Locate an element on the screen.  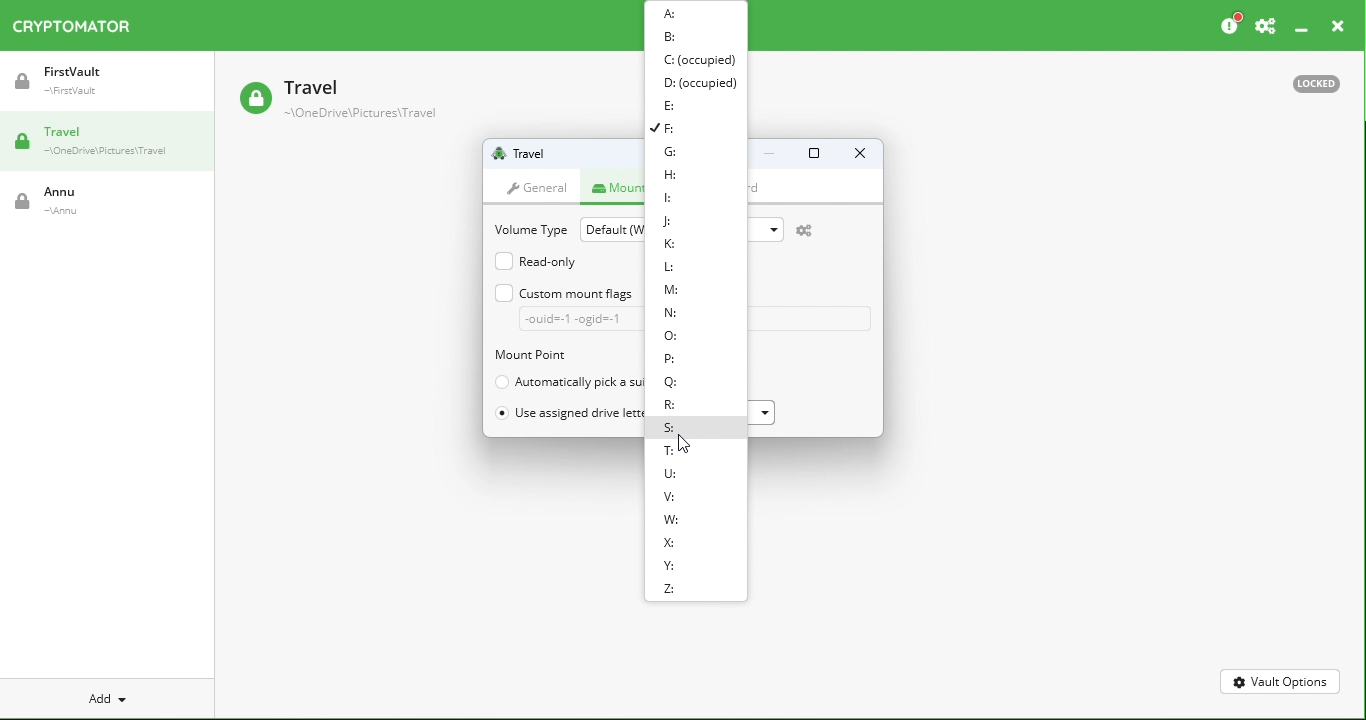
Automatically pick suitable location is located at coordinates (565, 381).